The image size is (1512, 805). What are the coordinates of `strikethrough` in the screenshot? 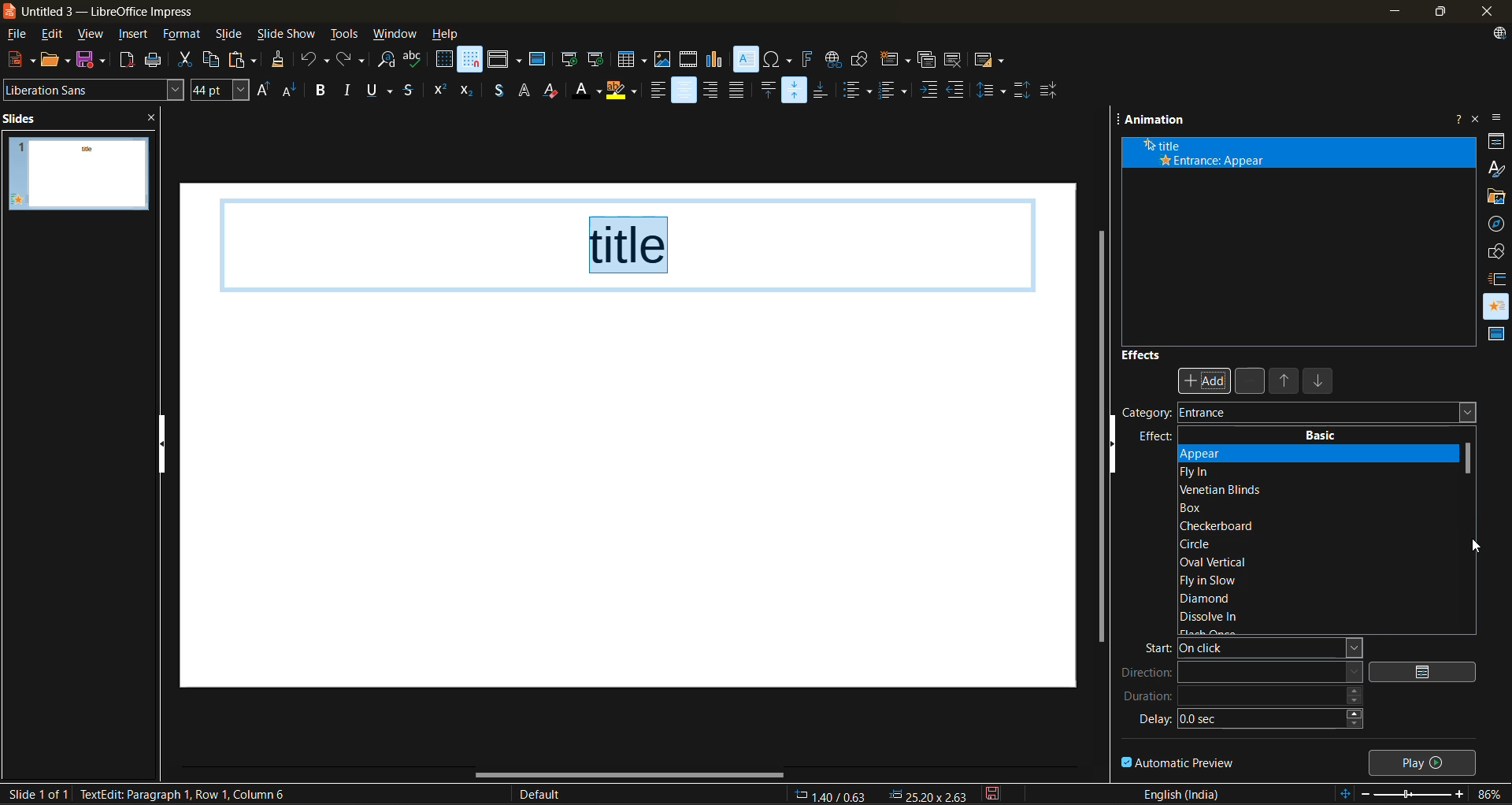 It's located at (409, 92).